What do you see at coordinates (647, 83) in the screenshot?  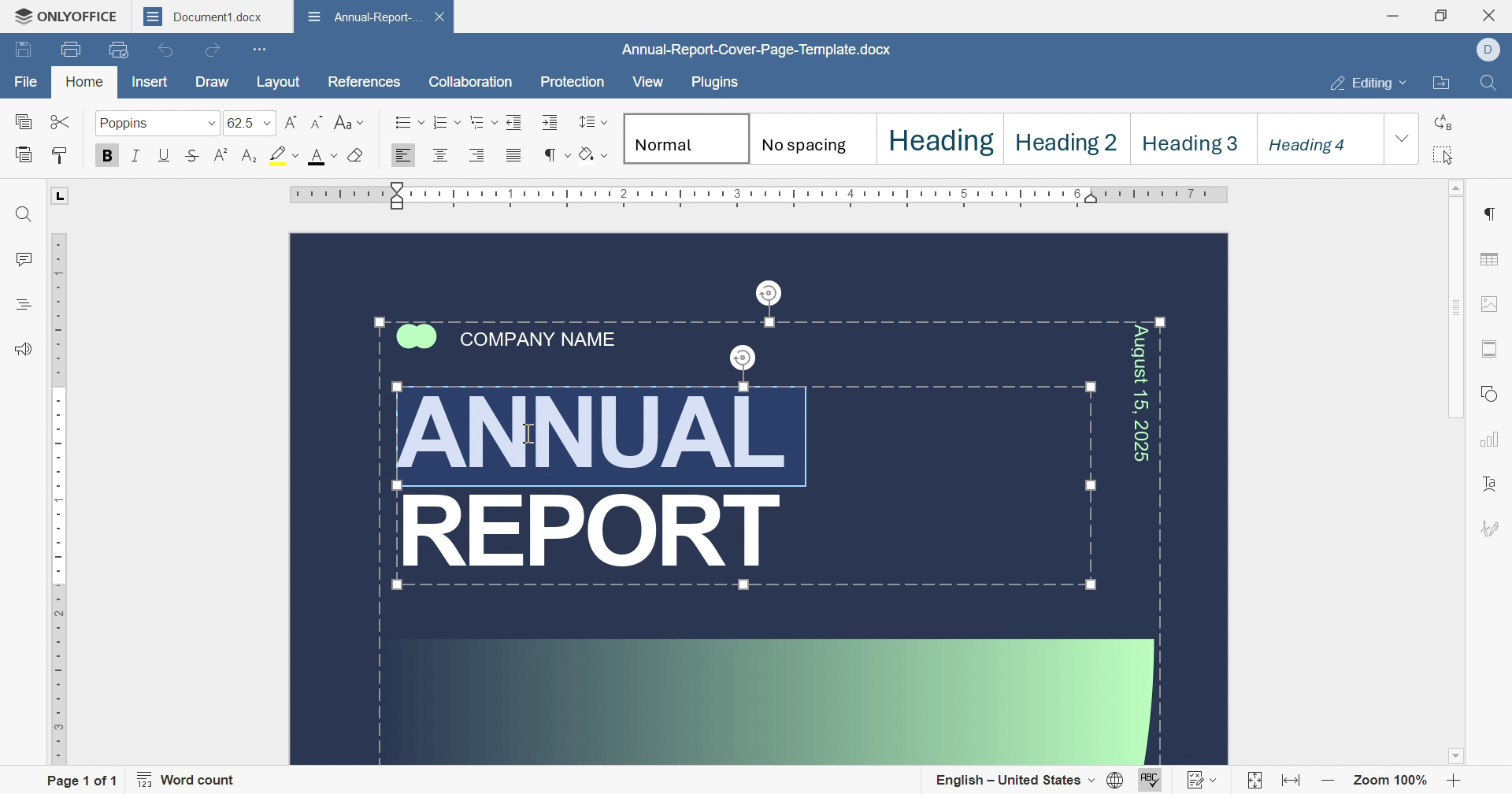 I see `view` at bounding box center [647, 83].